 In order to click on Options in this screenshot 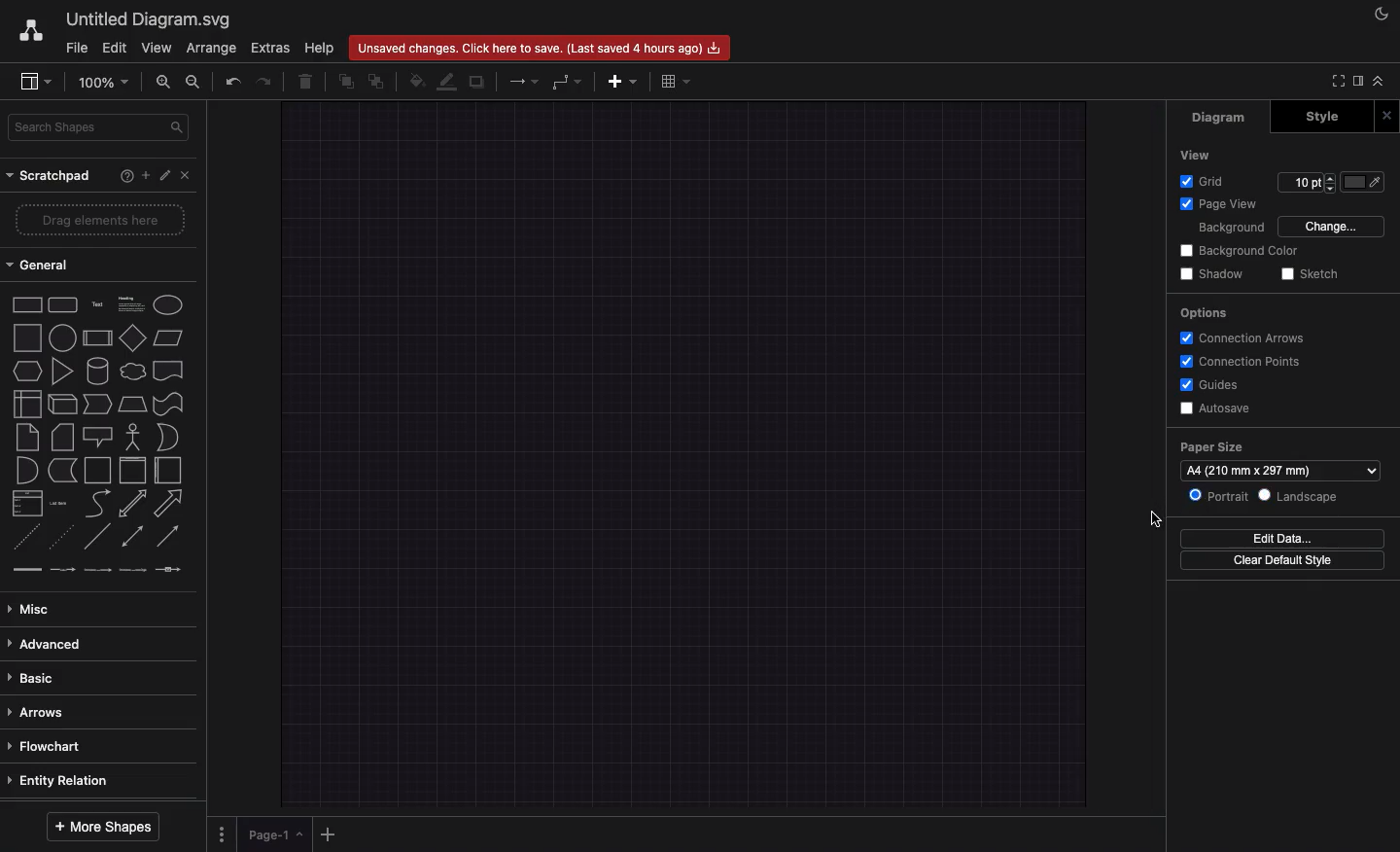, I will do `click(1206, 313)`.